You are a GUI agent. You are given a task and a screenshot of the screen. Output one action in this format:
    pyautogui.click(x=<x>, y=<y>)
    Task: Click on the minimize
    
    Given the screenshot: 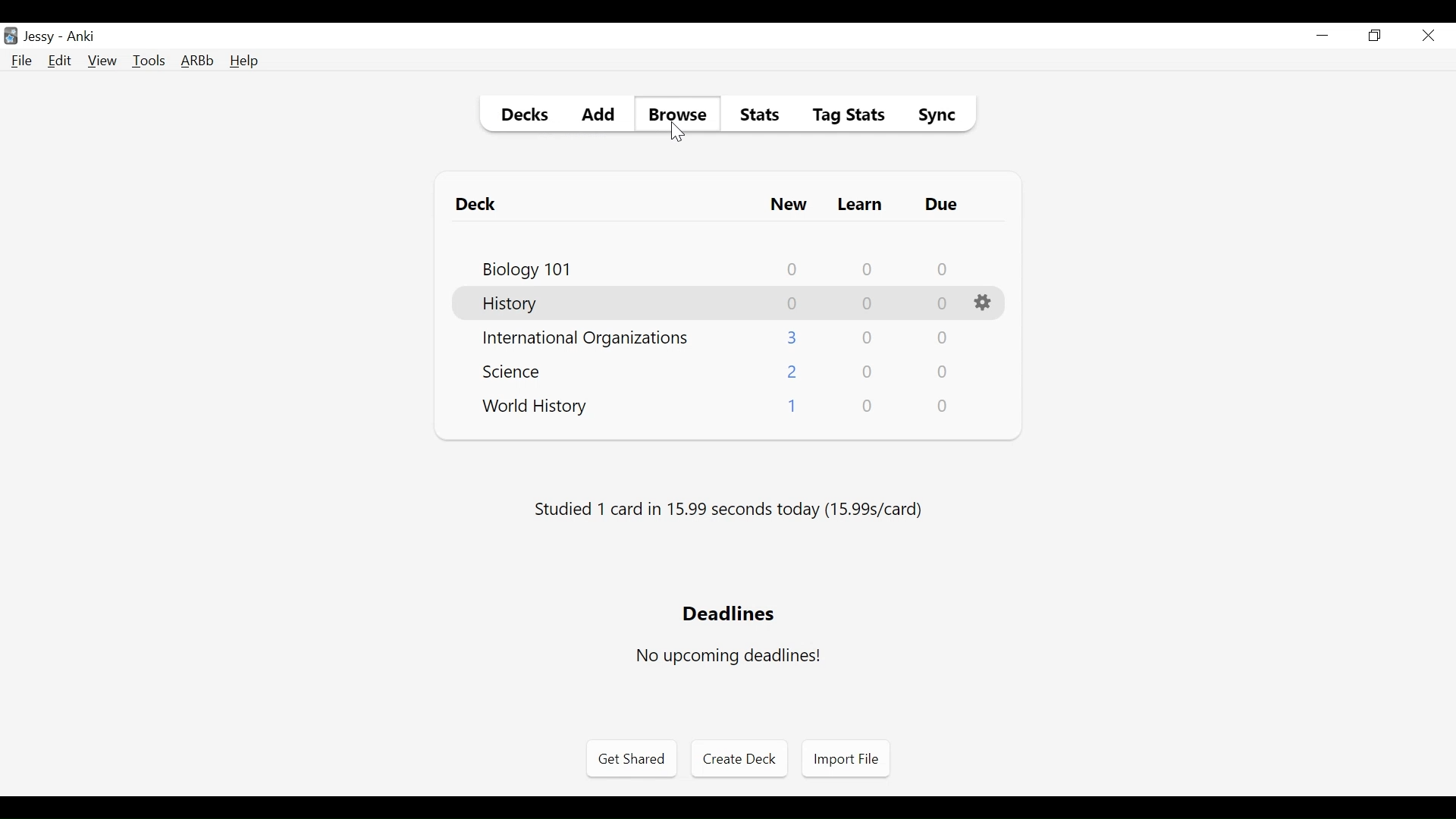 What is the action you would take?
    pyautogui.click(x=1325, y=35)
    